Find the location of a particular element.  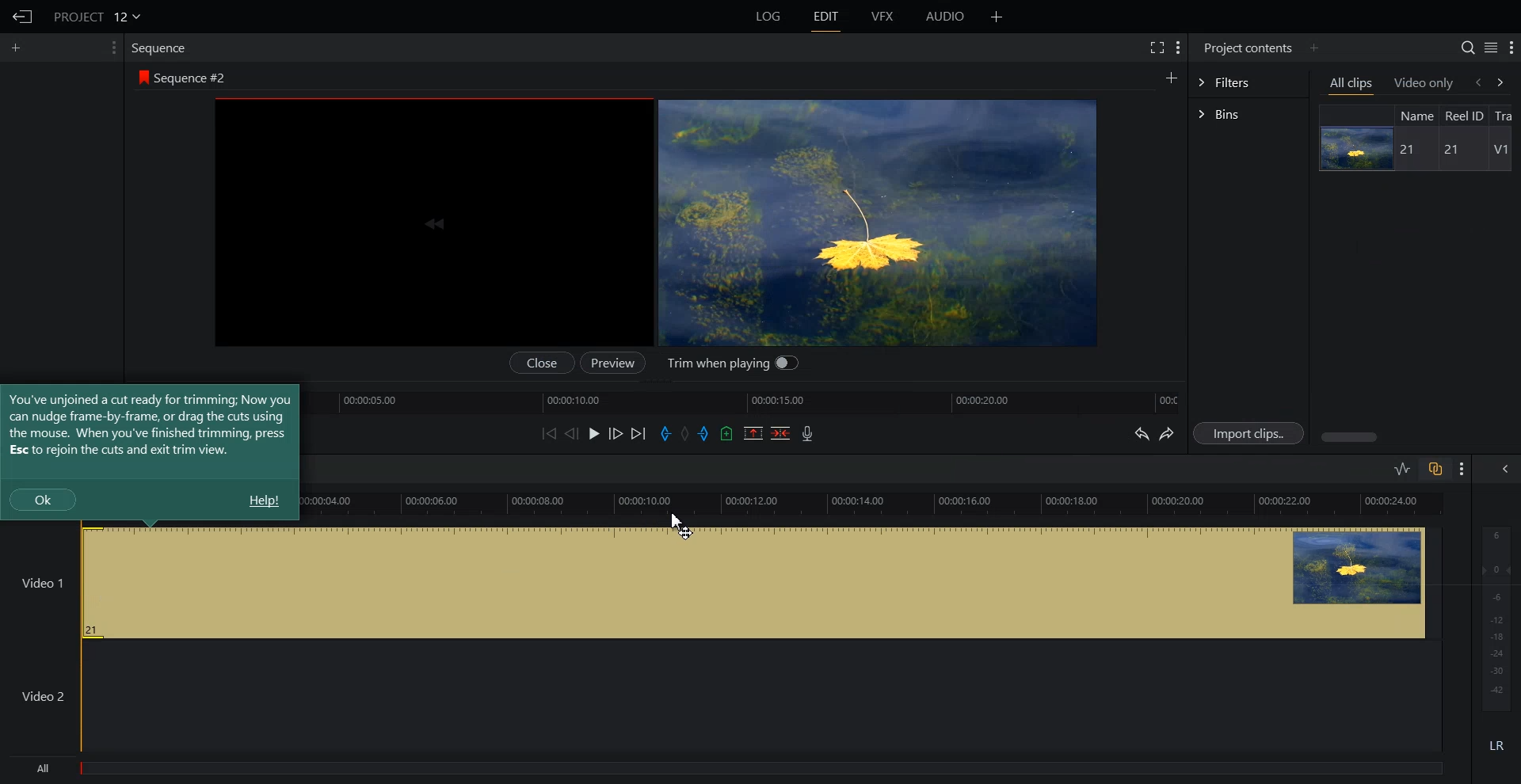

Add Panel is located at coordinates (997, 16).